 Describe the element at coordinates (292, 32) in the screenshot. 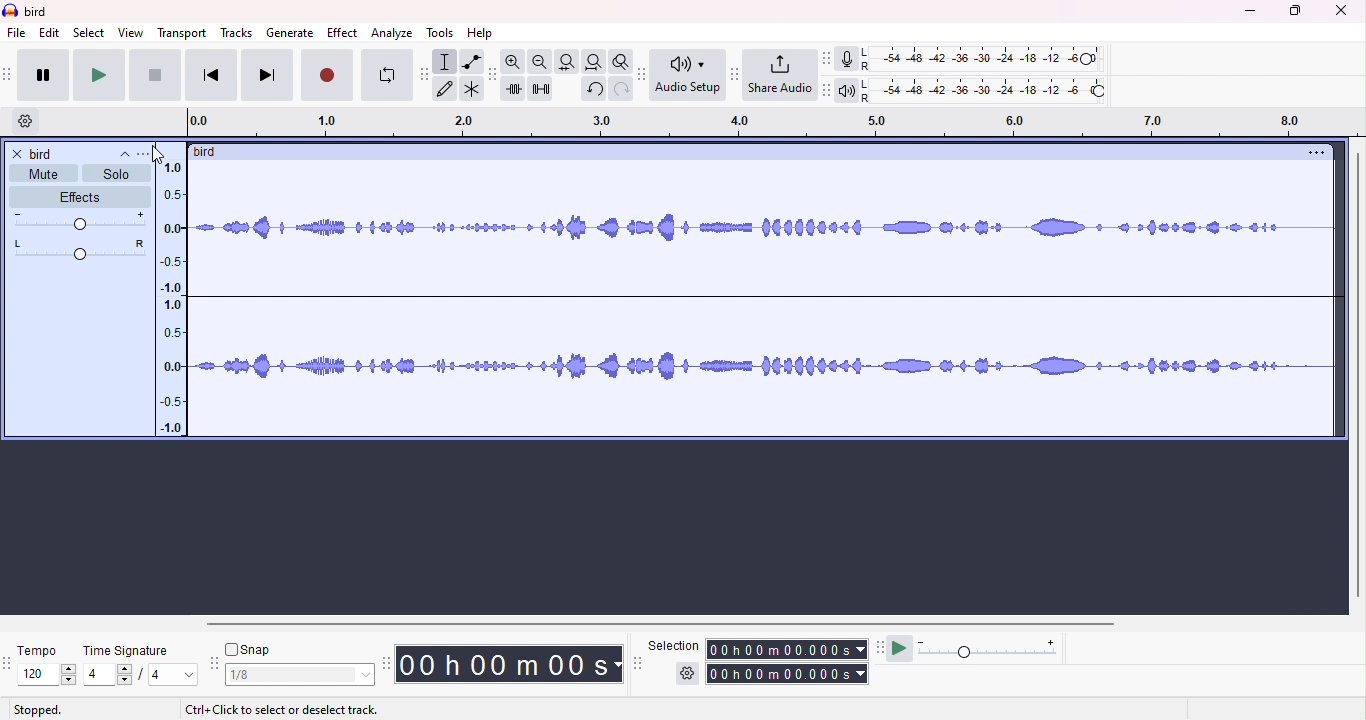

I see `generate` at that location.